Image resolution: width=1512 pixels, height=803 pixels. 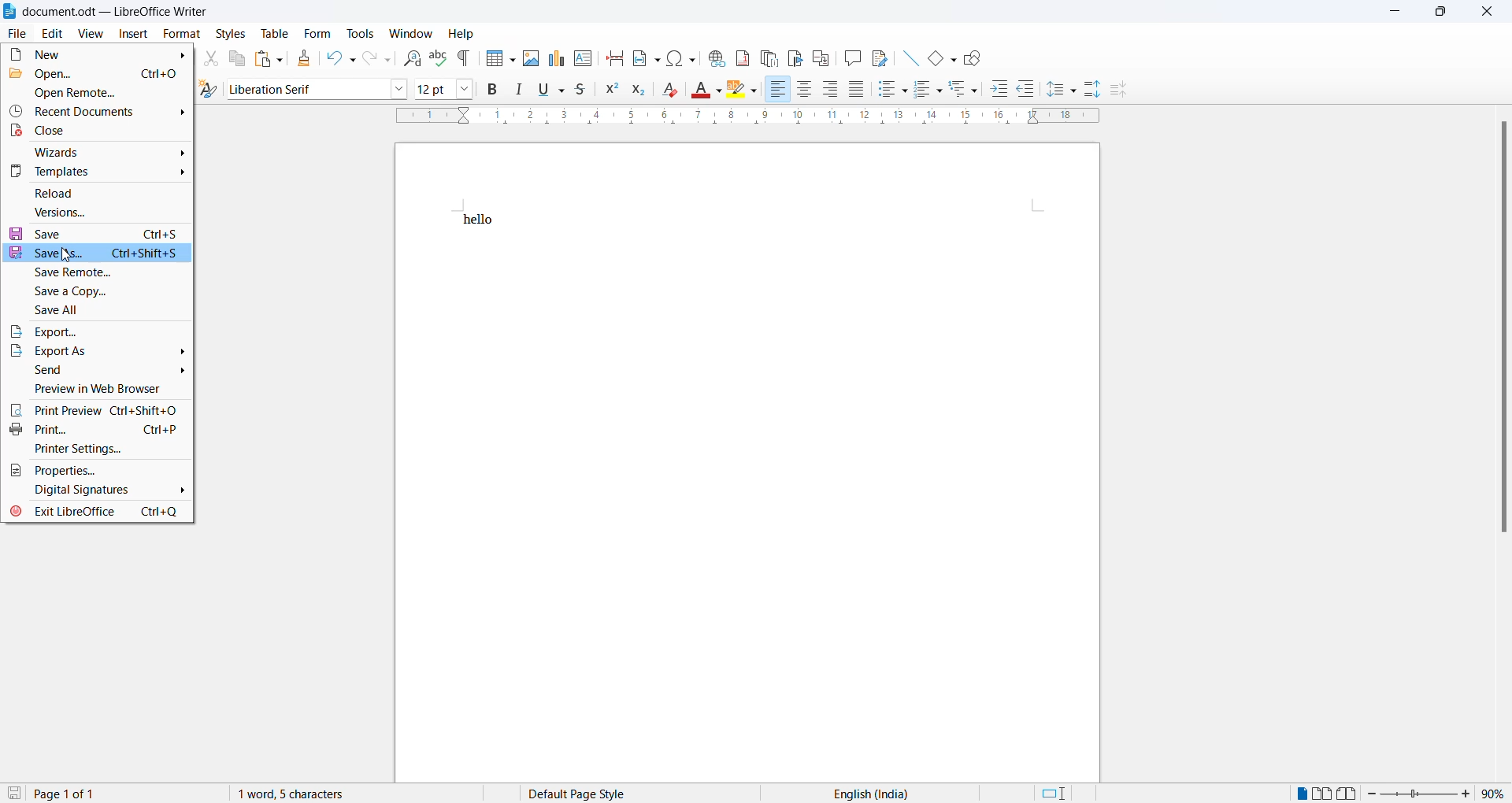 What do you see at coordinates (479, 220) in the screenshot?
I see `hello` at bounding box center [479, 220].